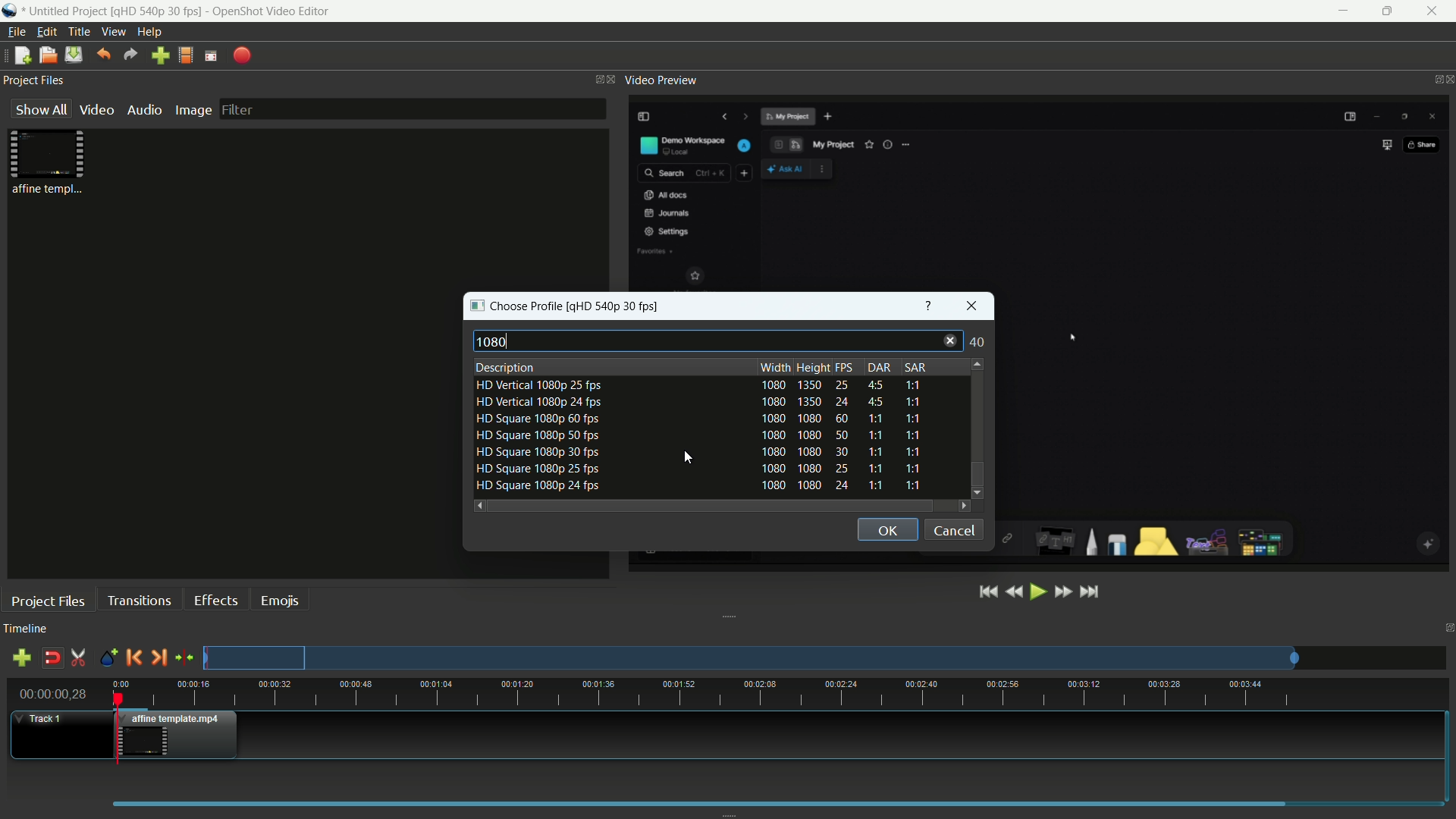 The height and width of the screenshot is (819, 1456). I want to click on import file, so click(161, 56).